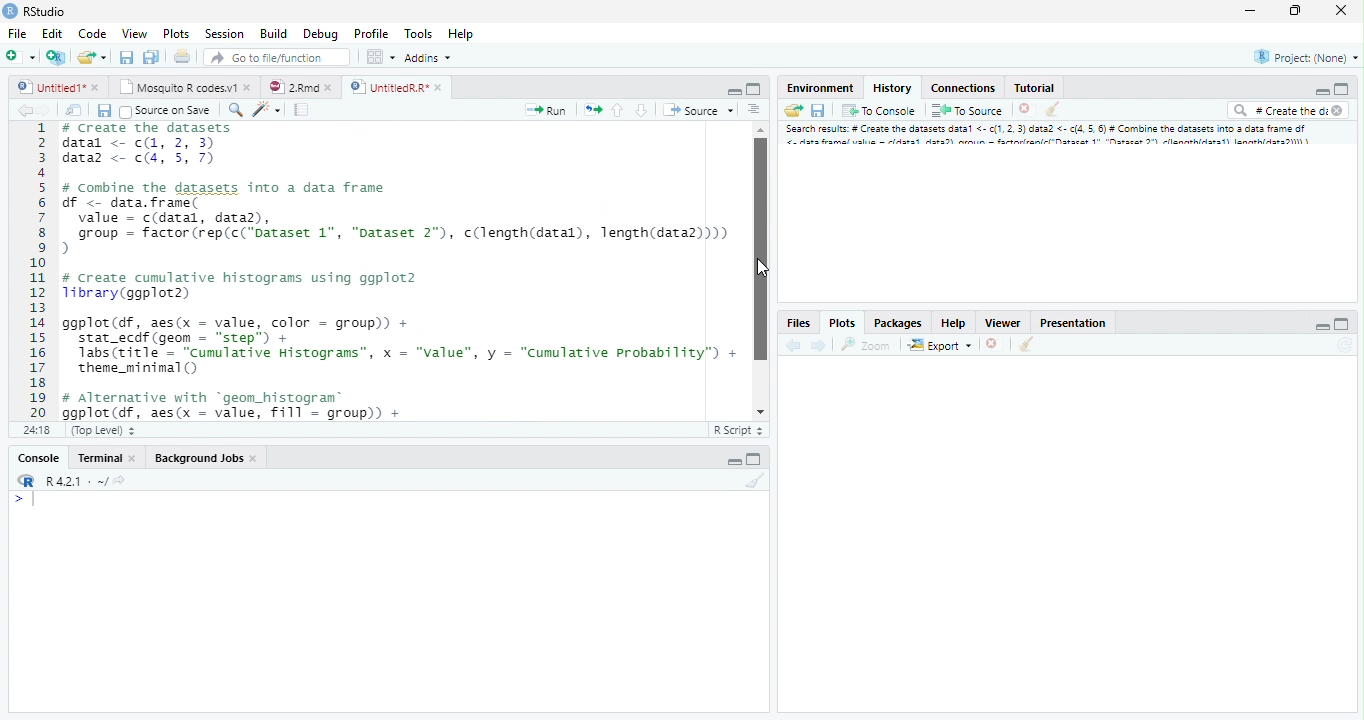 This screenshot has width=1364, height=720. Describe the element at coordinates (822, 109) in the screenshot. I see `Save` at that location.